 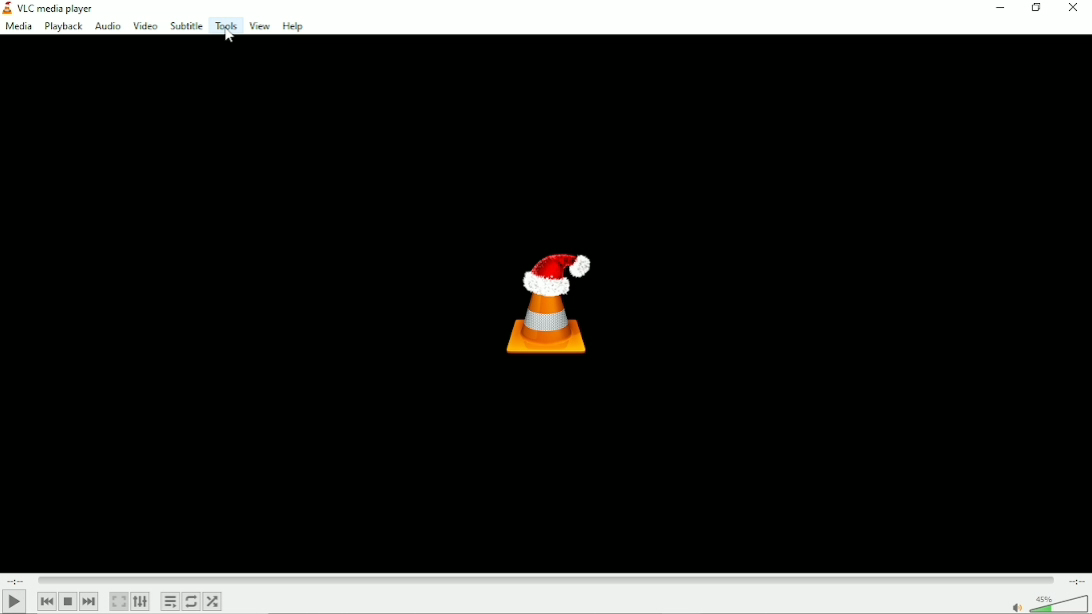 I want to click on audio, so click(x=106, y=26).